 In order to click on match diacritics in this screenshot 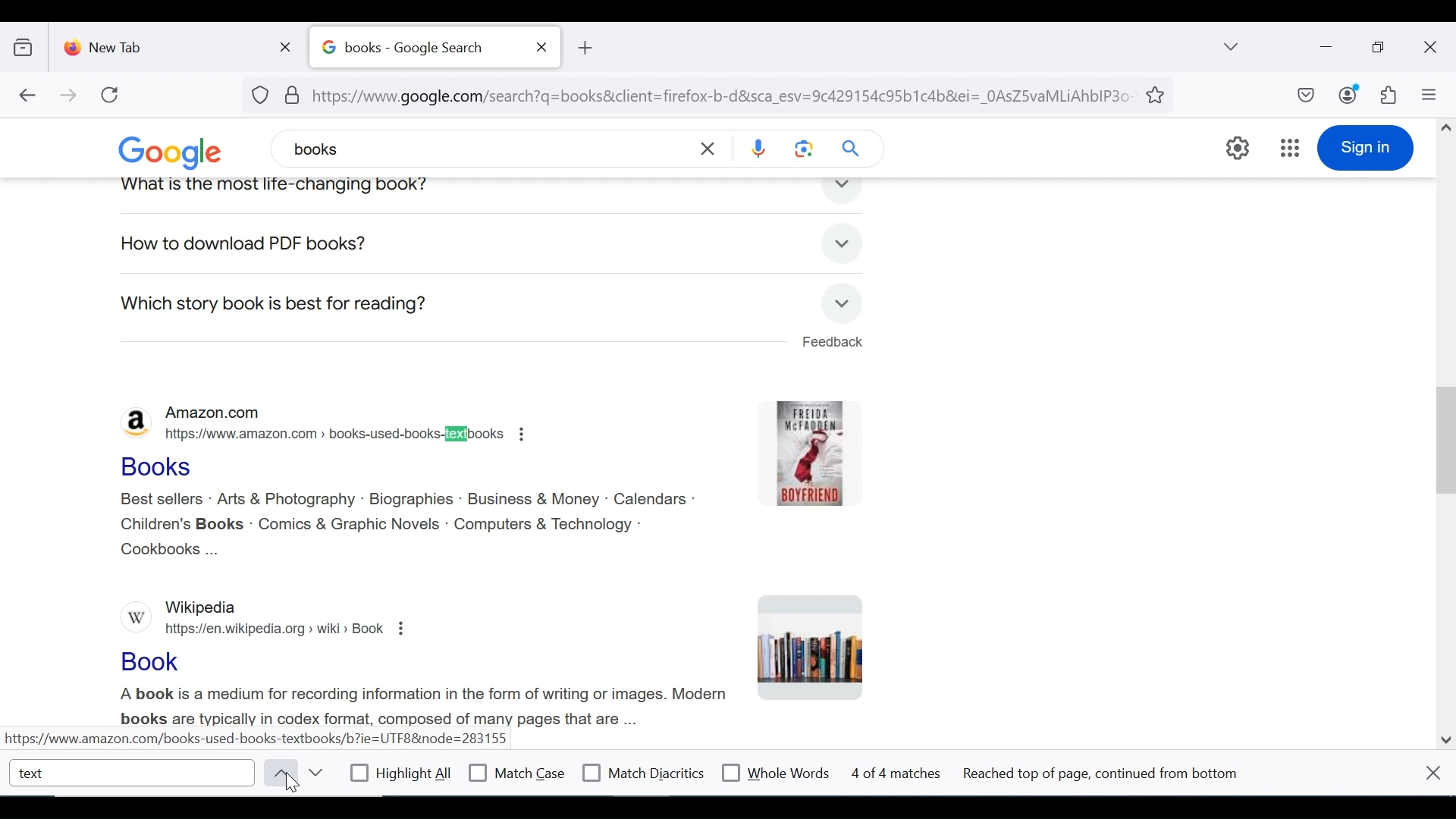, I will do `click(644, 773)`.